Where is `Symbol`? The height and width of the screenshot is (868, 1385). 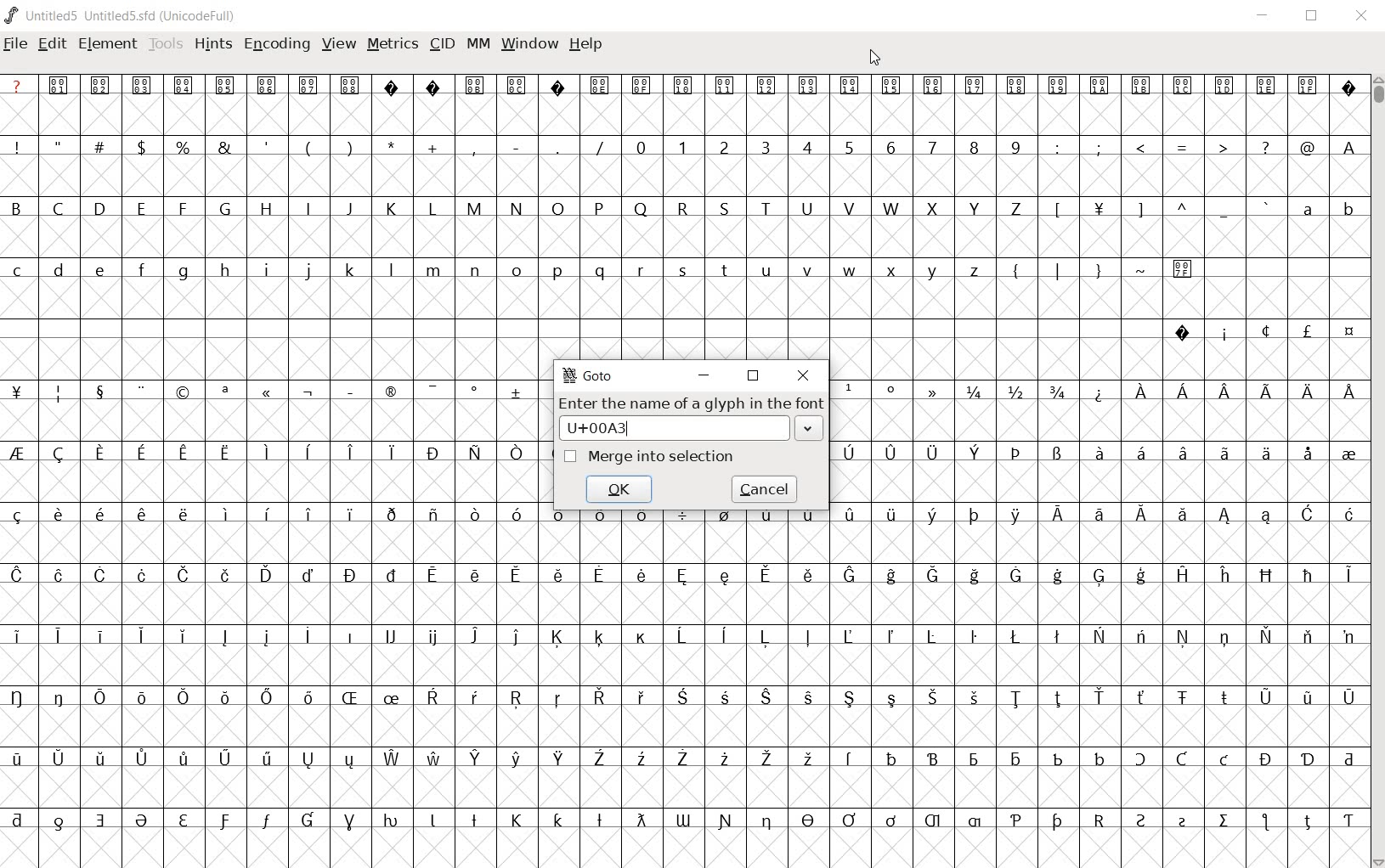
Symbol is located at coordinates (432, 578).